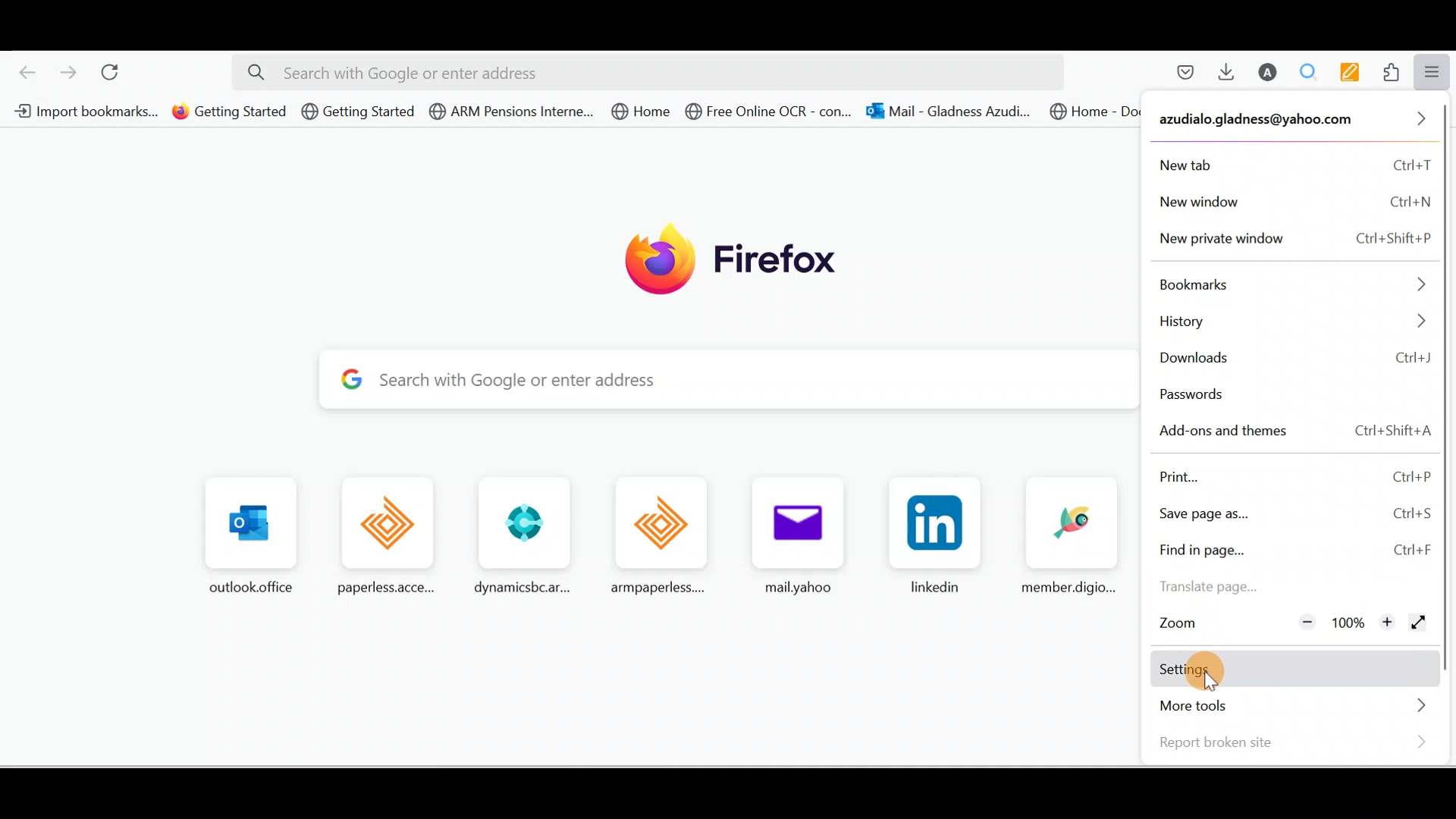 The height and width of the screenshot is (819, 1456). Describe the element at coordinates (358, 111) in the screenshot. I see `Bookmark 3` at that location.